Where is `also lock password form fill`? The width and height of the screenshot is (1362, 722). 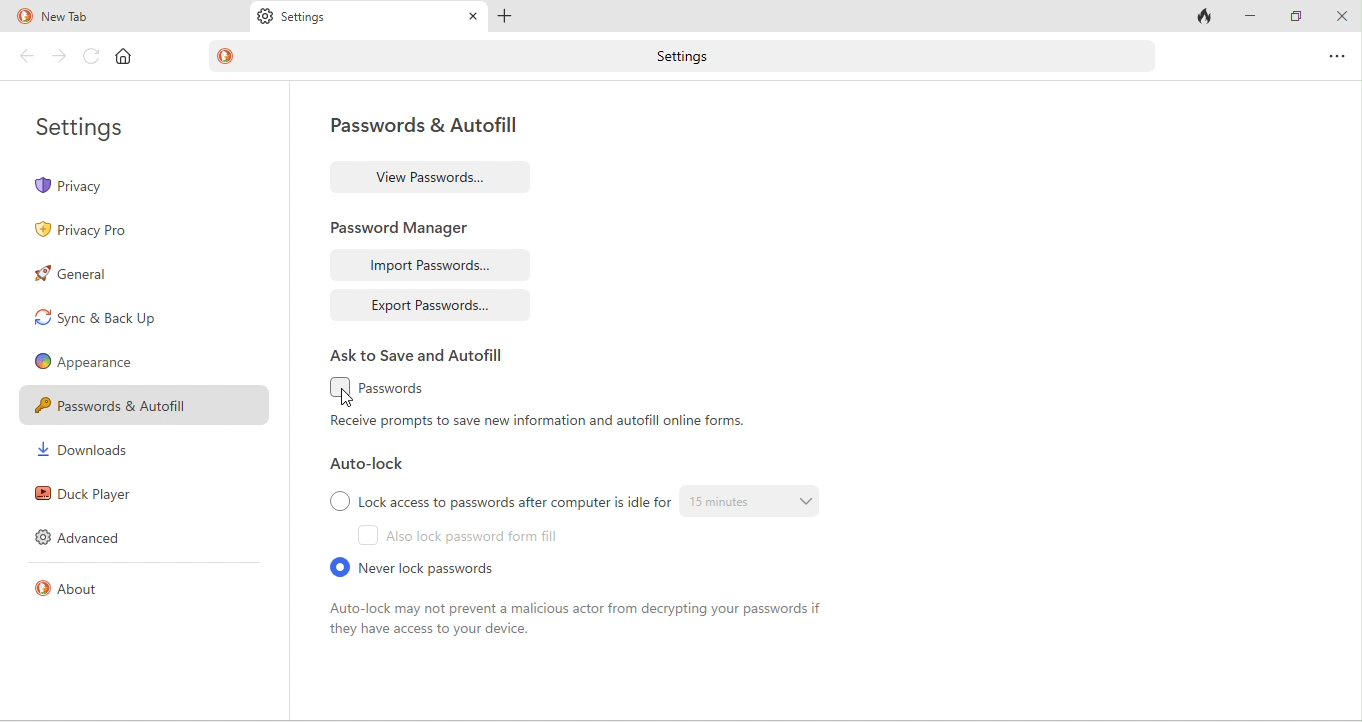 also lock password form fill is located at coordinates (468, 537).